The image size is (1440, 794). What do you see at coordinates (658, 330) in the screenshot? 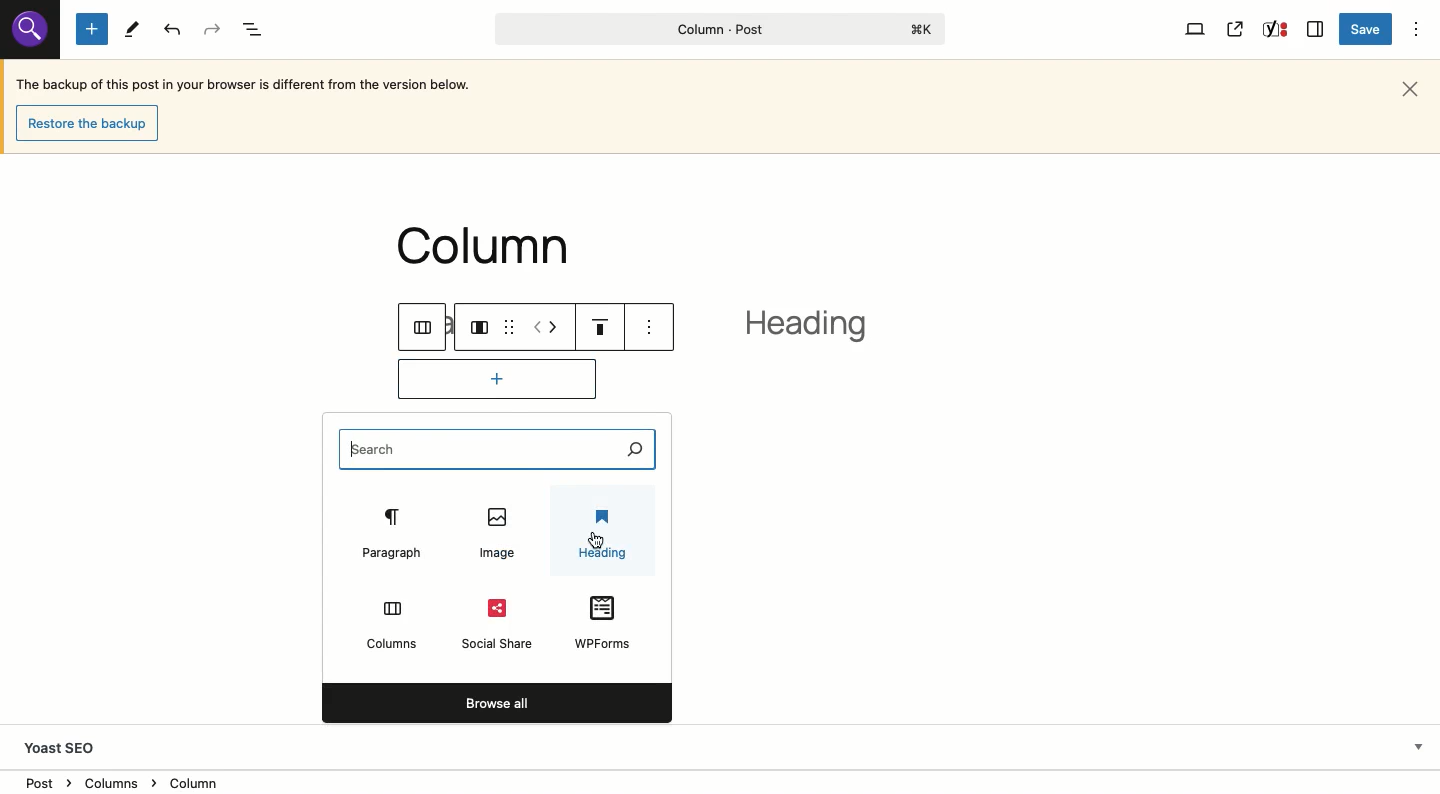
I see `see options` at bounding box center [658, 330].